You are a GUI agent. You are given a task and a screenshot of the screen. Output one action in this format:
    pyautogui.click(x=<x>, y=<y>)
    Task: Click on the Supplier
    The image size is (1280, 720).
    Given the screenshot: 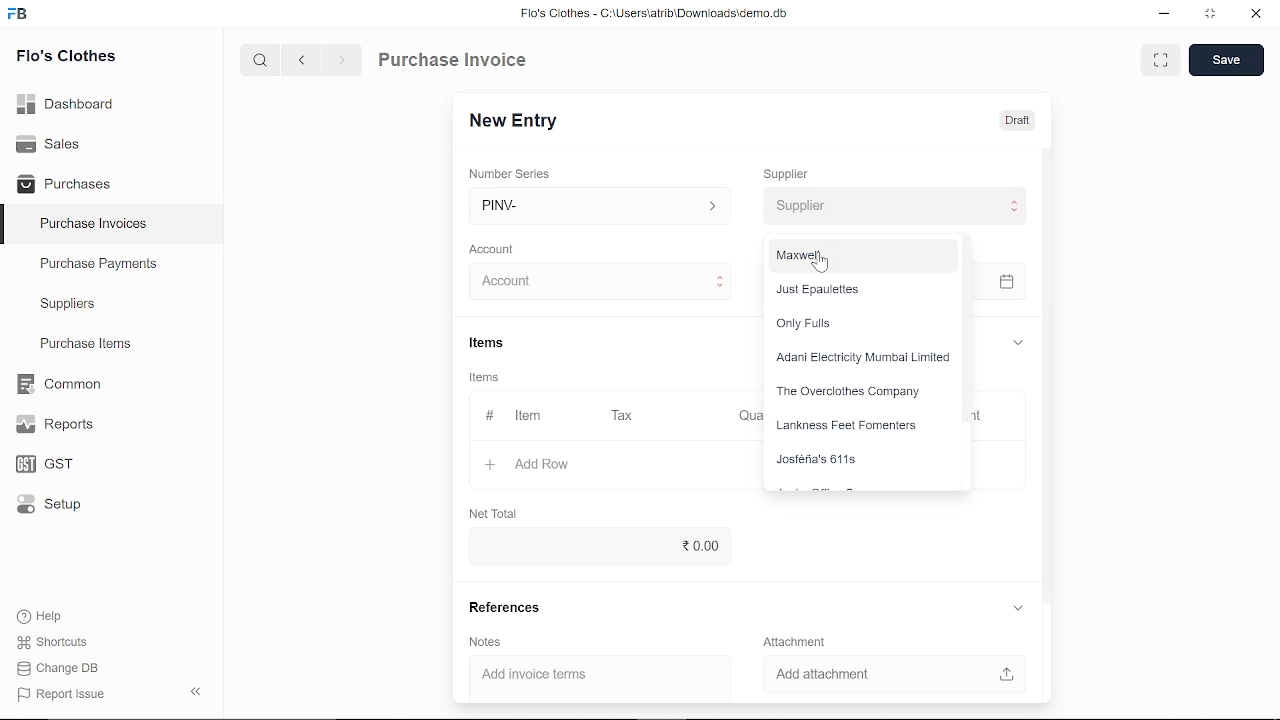 What is the action you would take?
    pyautogui.click(x=797, y=172)
    